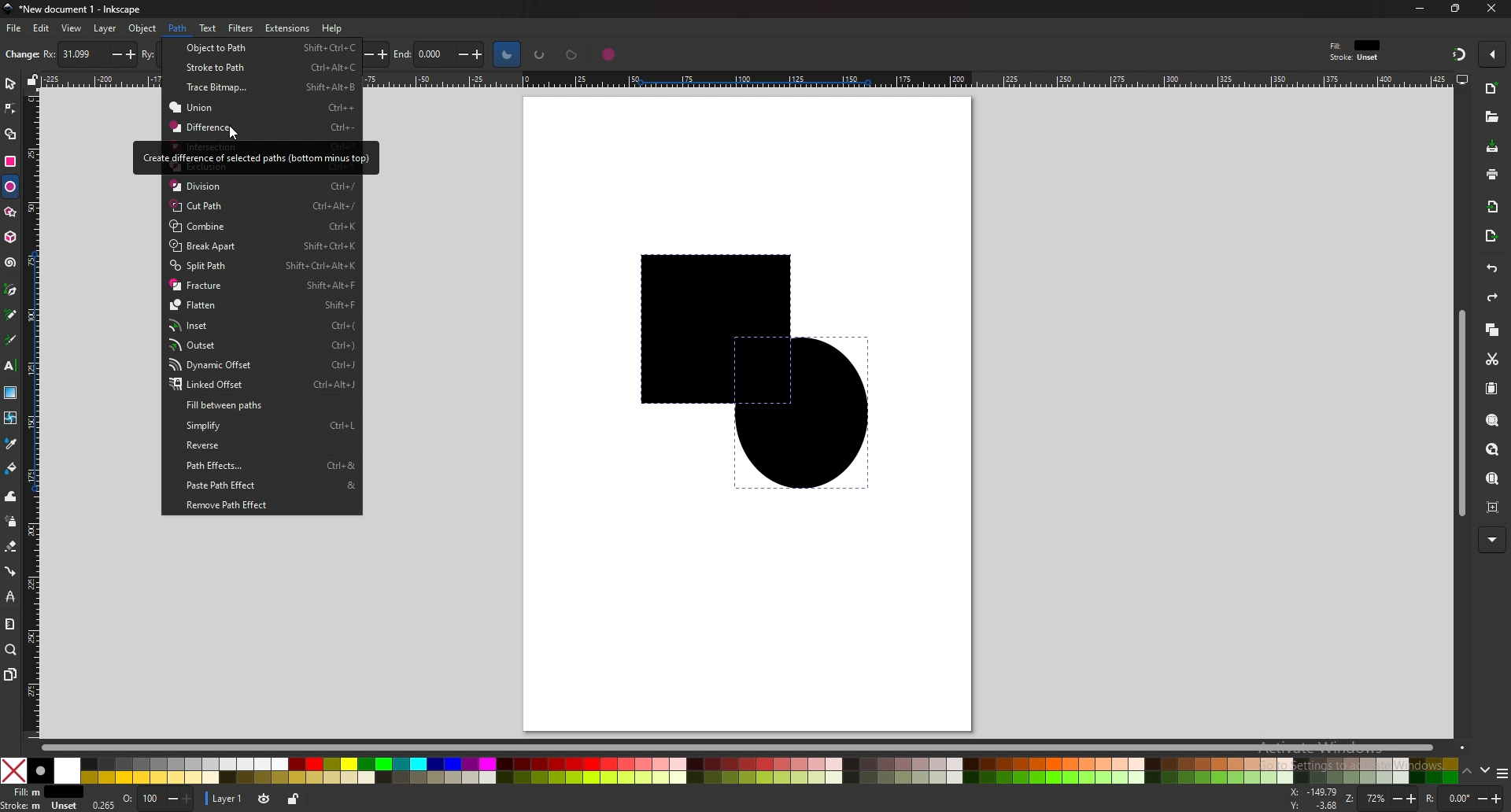 This screenshot has width=1511, height=812. Describe the element at coordinates (1455, 9) in the screenshot. I see `resize` at that location.